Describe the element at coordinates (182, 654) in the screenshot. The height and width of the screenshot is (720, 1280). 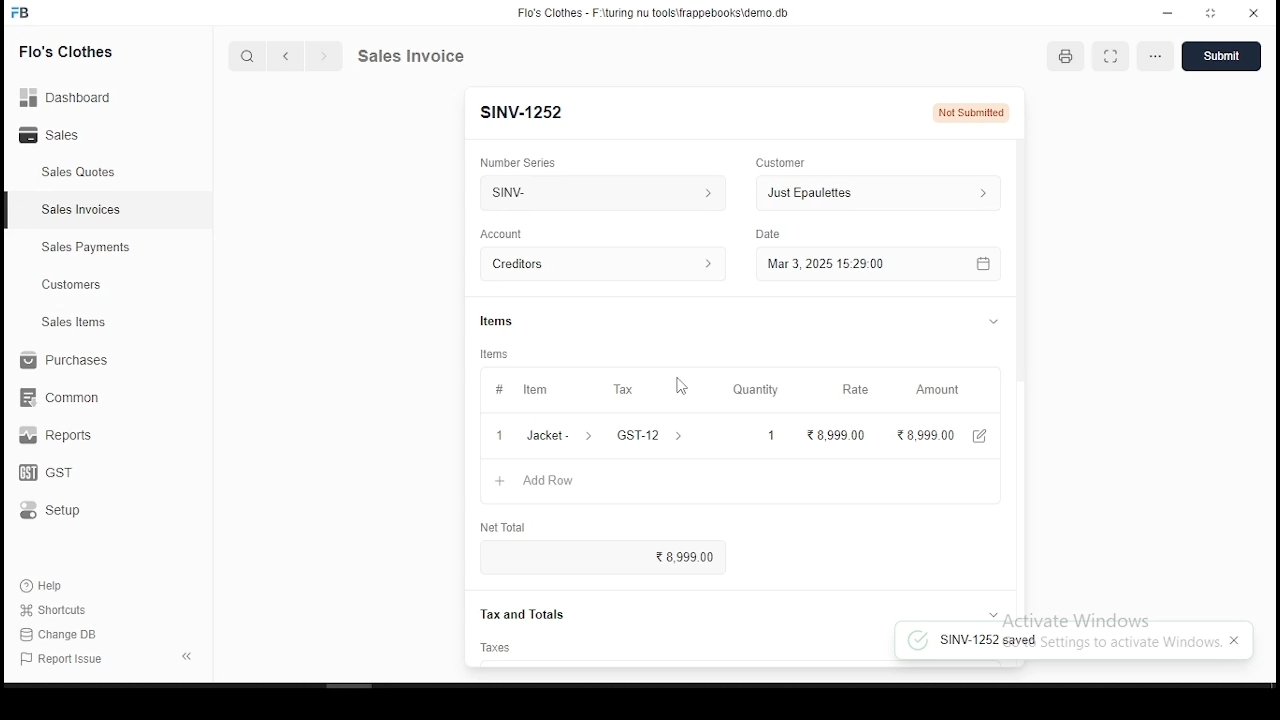
I see `expand` at that location.